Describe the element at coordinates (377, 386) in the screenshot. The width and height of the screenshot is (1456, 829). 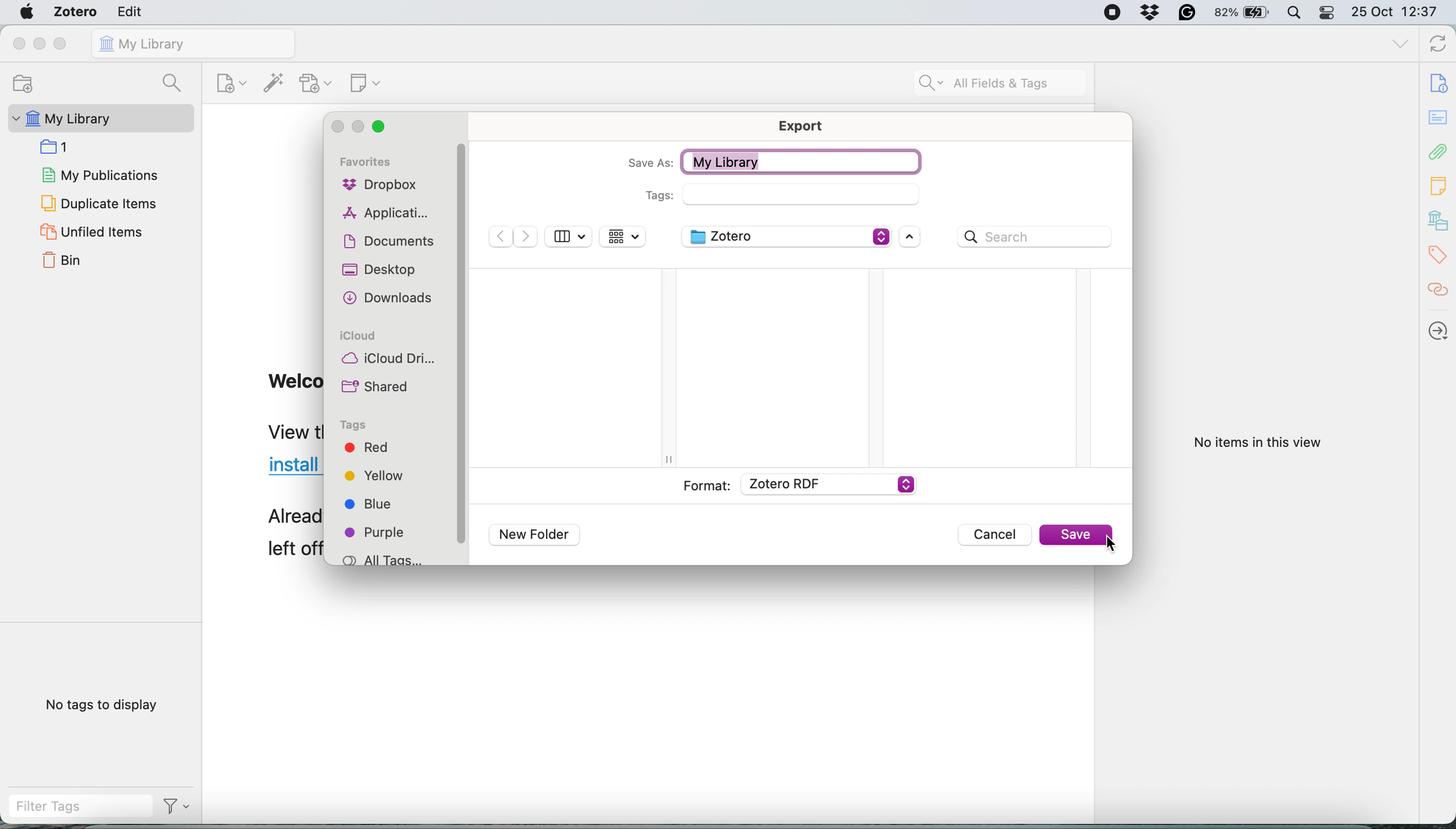
I see `Shared` at that location.